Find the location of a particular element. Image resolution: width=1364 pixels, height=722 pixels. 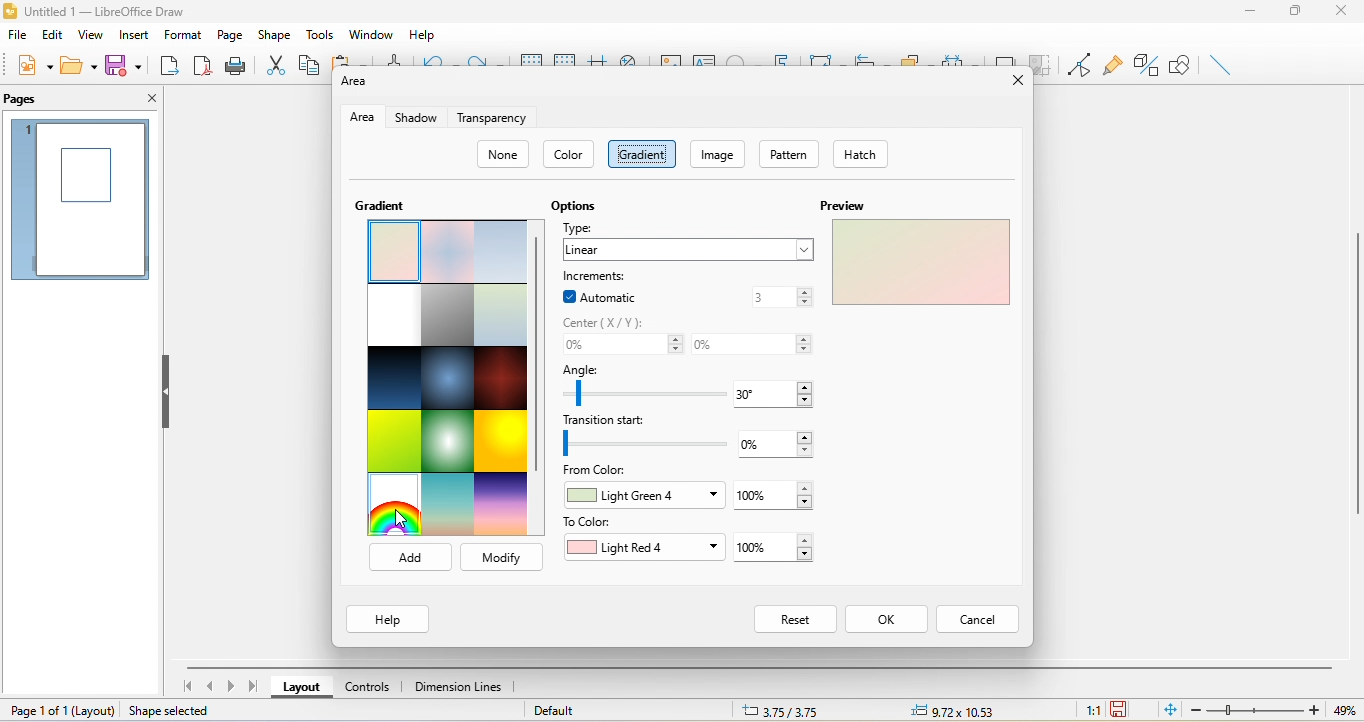

100% is located at coordinates (774, 494).